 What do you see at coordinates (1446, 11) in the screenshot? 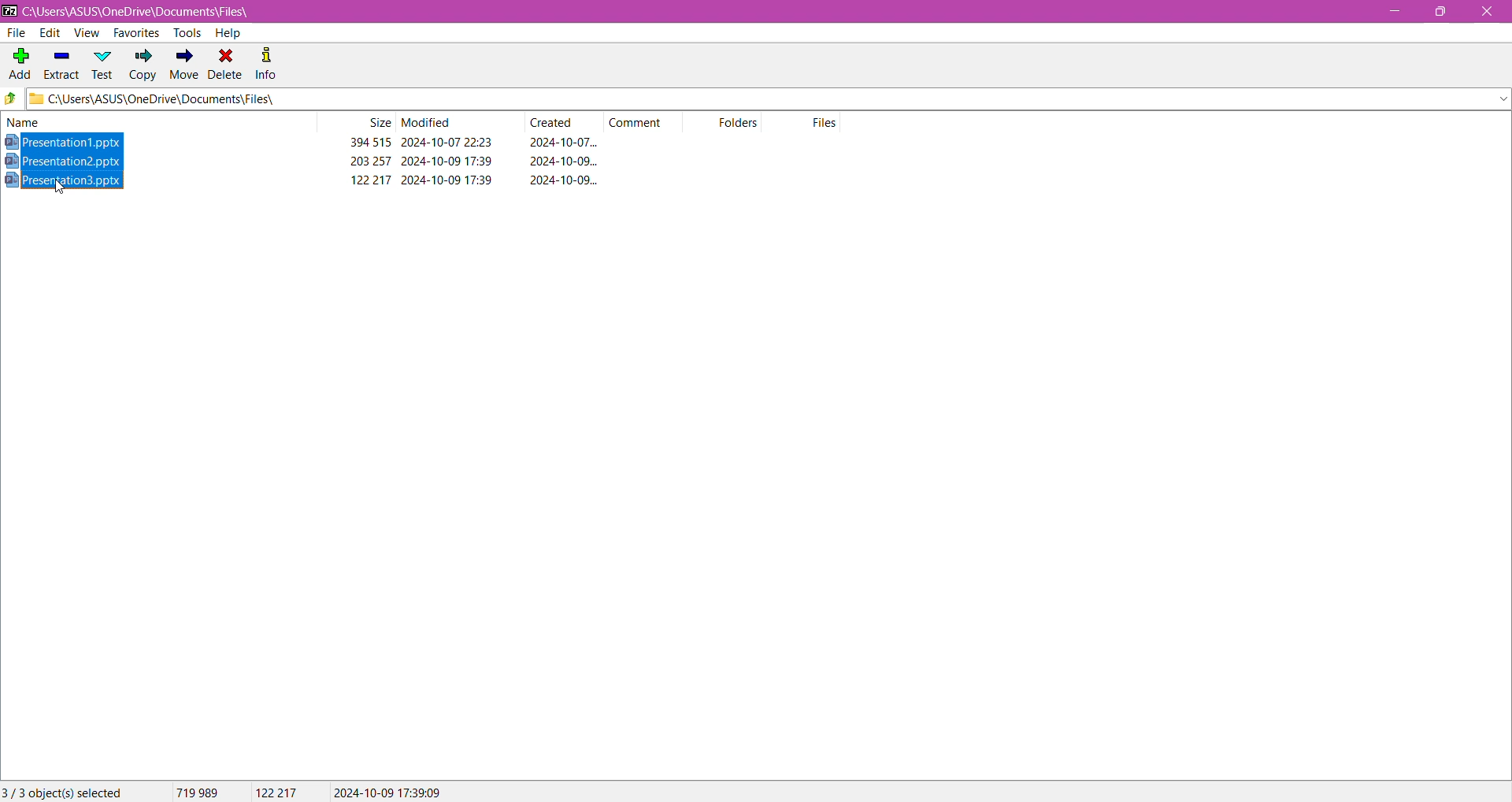
I see `Restore Down` at bounding box center [1446, 11].